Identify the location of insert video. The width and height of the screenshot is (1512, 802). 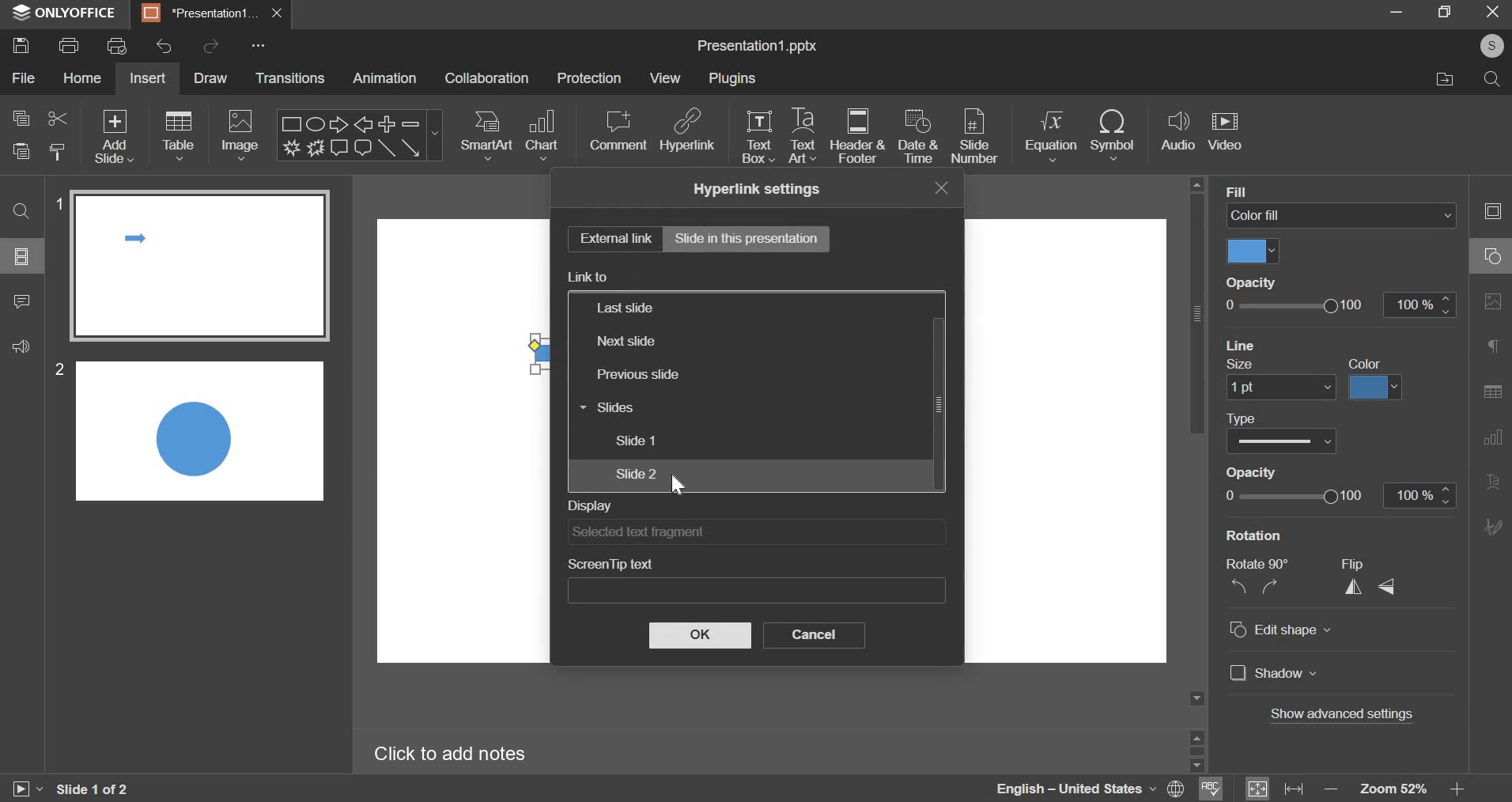
(1227, 136).